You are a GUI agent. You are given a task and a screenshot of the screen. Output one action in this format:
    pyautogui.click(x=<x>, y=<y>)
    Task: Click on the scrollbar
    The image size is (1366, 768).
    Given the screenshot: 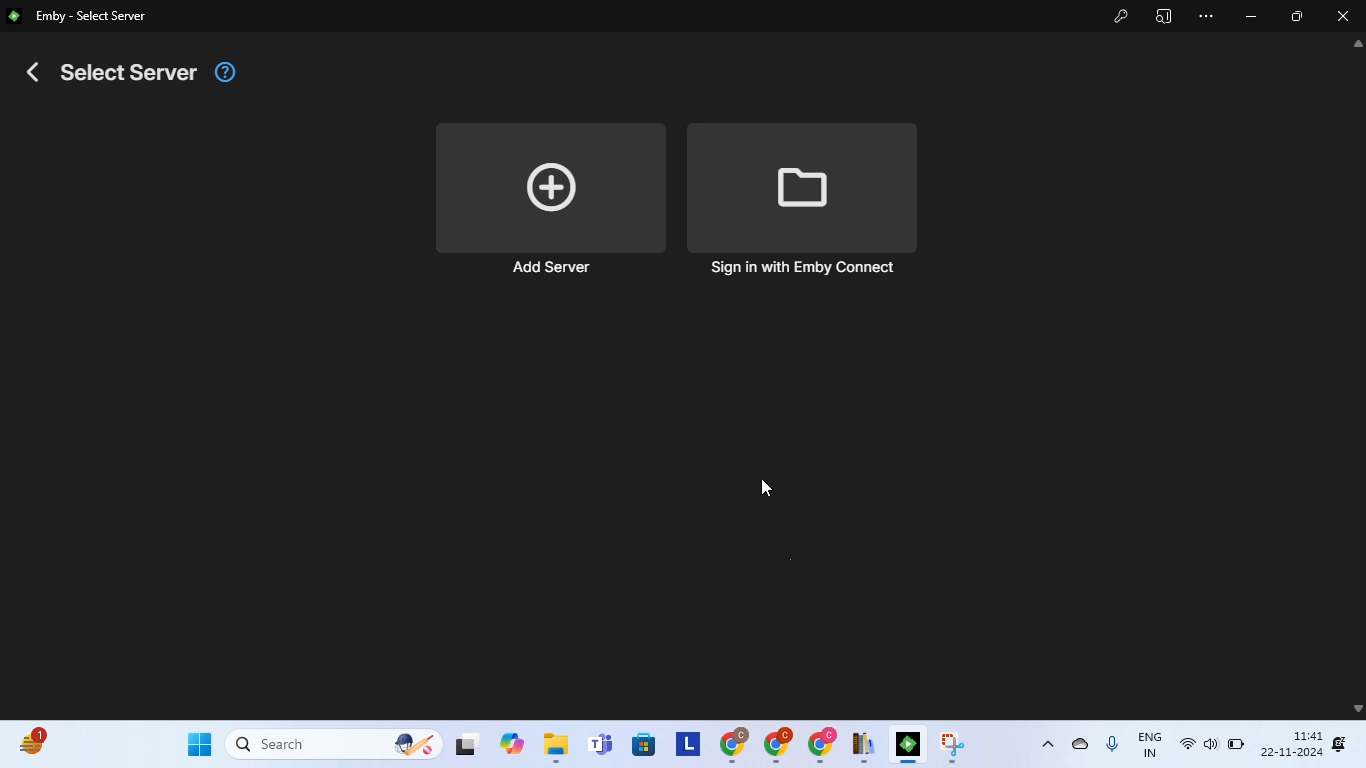 What is the action you would take?
    pyautogui.click(x=1358, y=377)
    